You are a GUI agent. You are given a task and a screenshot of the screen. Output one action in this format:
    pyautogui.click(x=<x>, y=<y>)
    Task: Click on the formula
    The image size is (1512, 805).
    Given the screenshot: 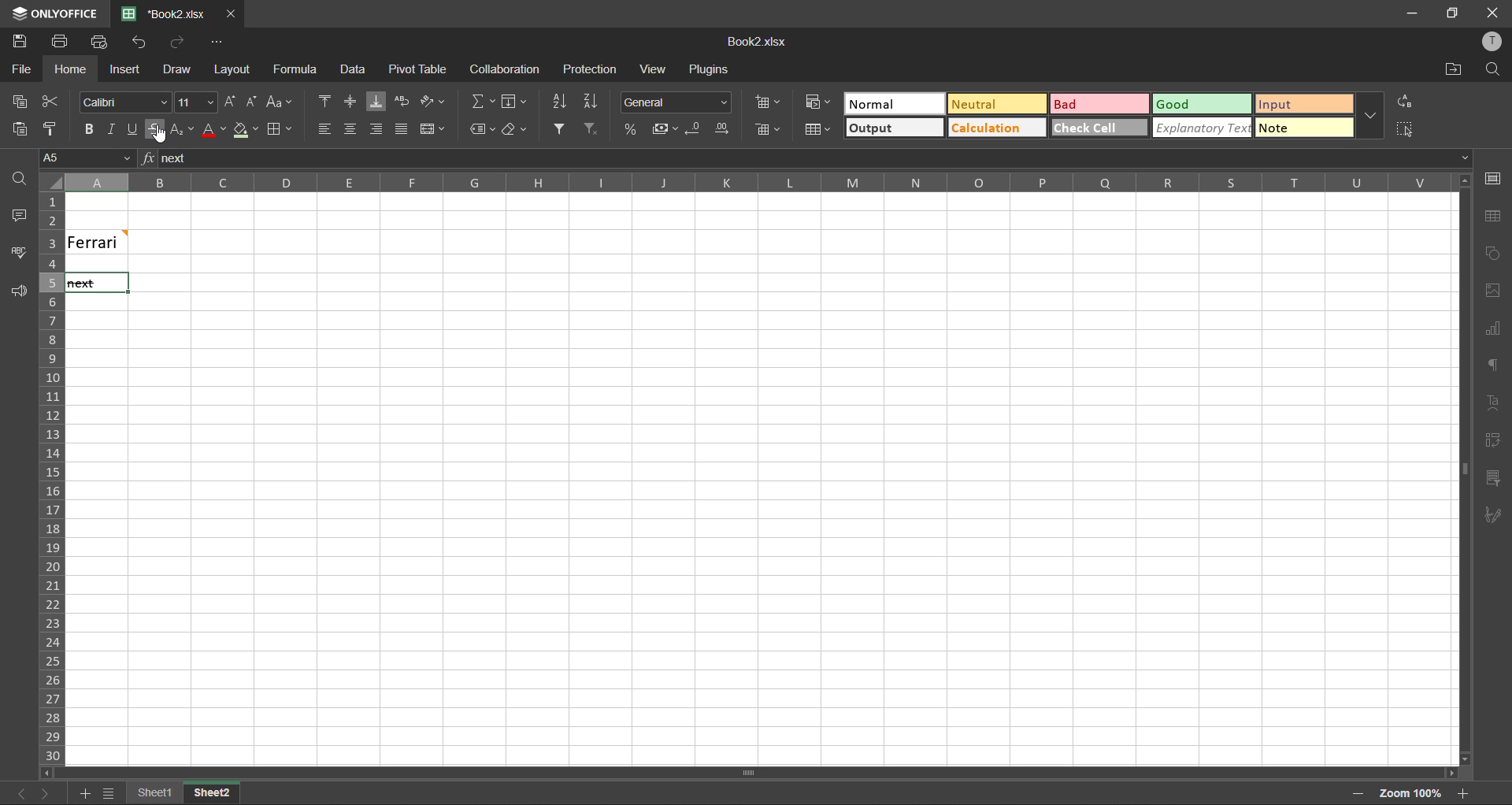 What is the action you would take?
    pyautogui.click(x=295, y=72)
    